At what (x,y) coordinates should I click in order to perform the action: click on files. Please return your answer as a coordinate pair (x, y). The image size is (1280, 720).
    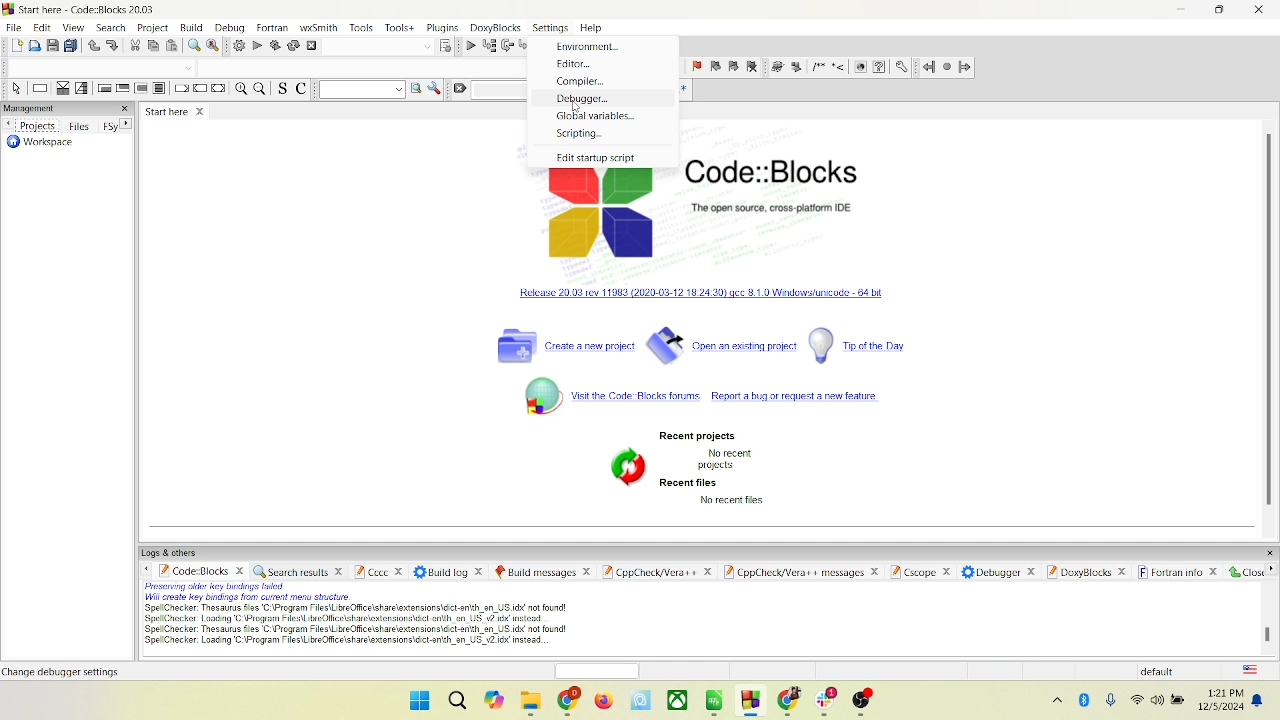
    Looking at the image, I should click on (80, 125).